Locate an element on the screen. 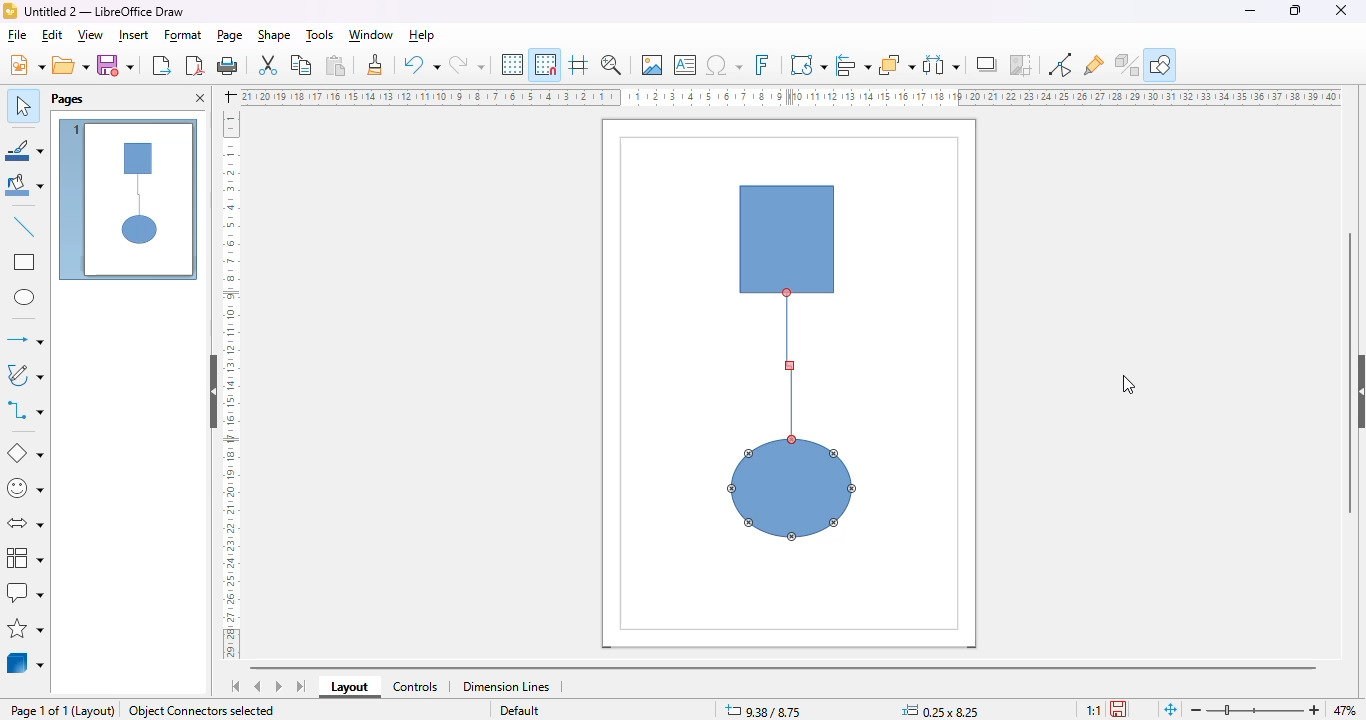 The image size is (1366, 720). undo is located at coordinates (421, 66).